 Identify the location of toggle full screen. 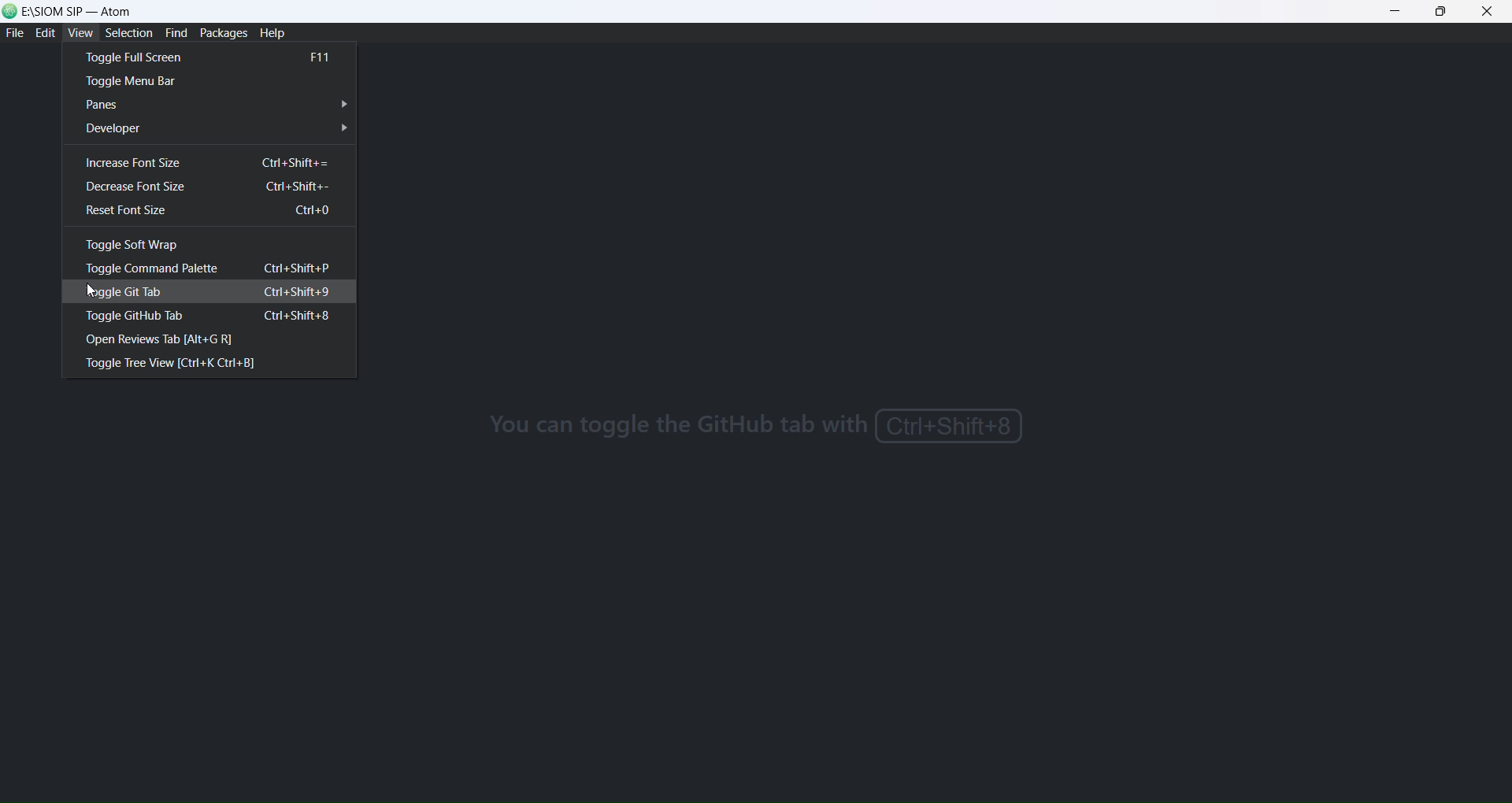
(209, 56).